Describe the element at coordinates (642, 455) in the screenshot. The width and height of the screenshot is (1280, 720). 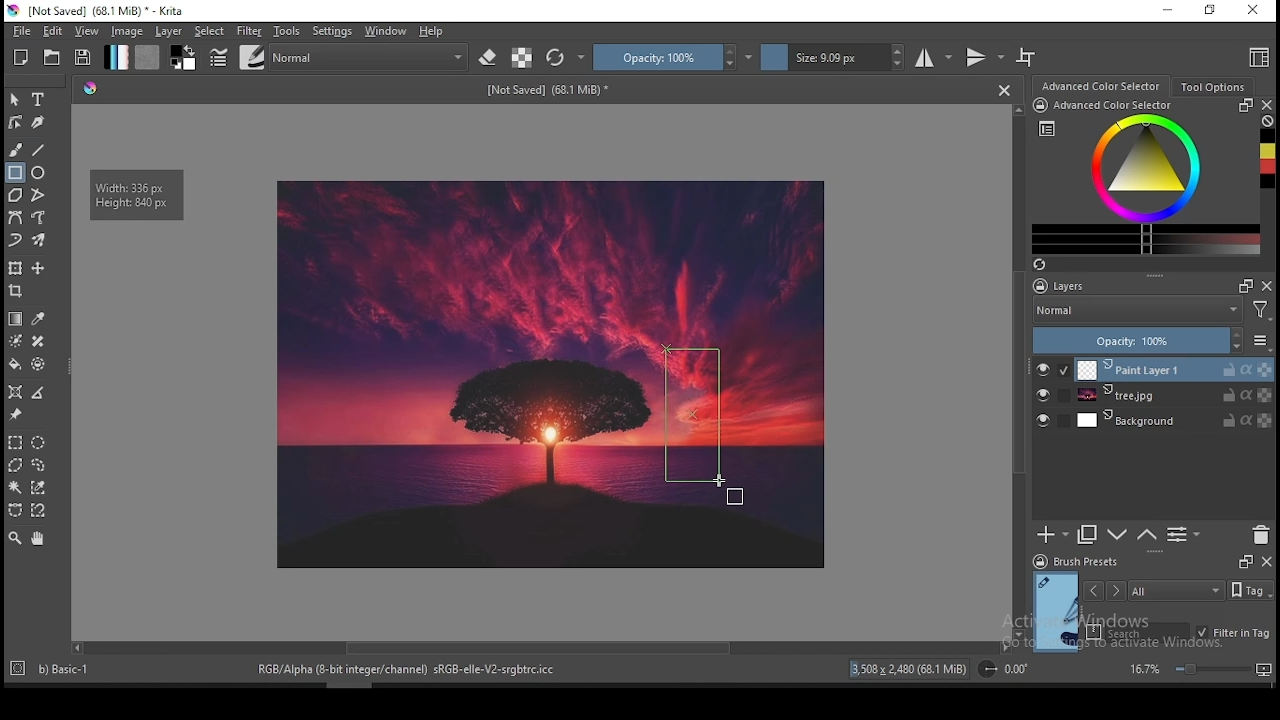
I see `image` at that location.